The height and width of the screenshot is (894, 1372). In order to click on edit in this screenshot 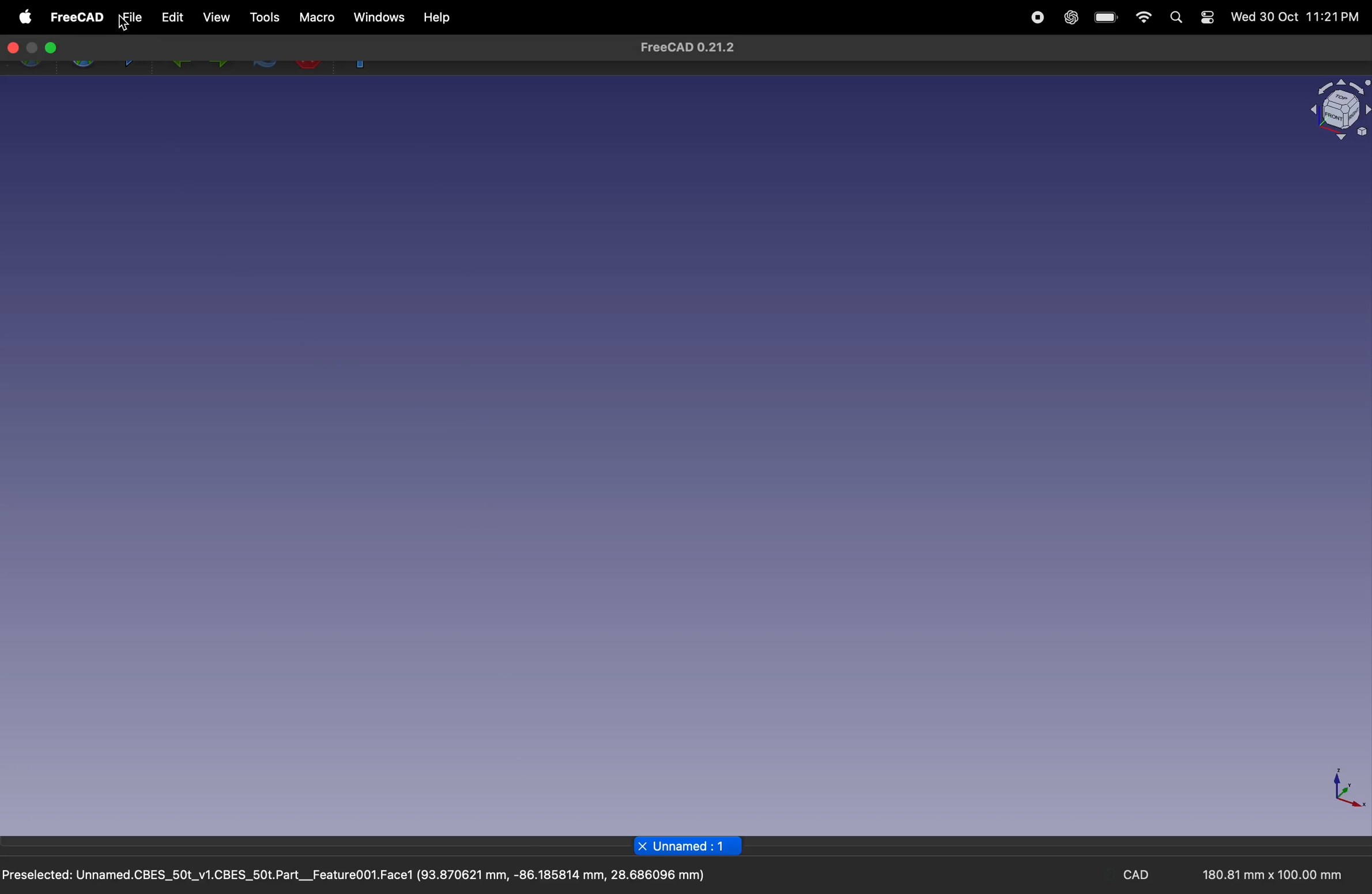, I will do `click(176, 21)`.